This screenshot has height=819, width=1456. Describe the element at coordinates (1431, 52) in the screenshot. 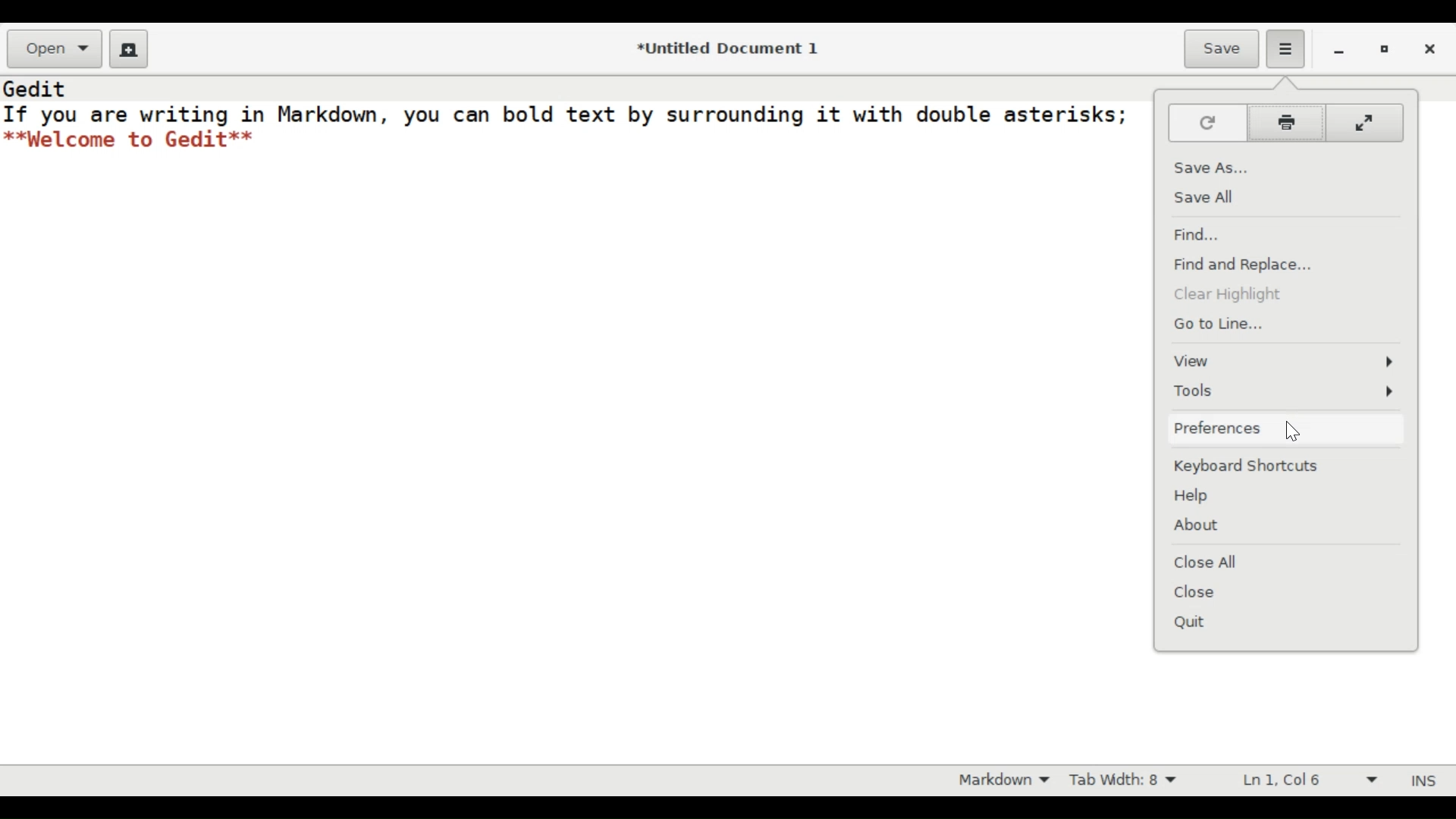

I see `close` at that location.